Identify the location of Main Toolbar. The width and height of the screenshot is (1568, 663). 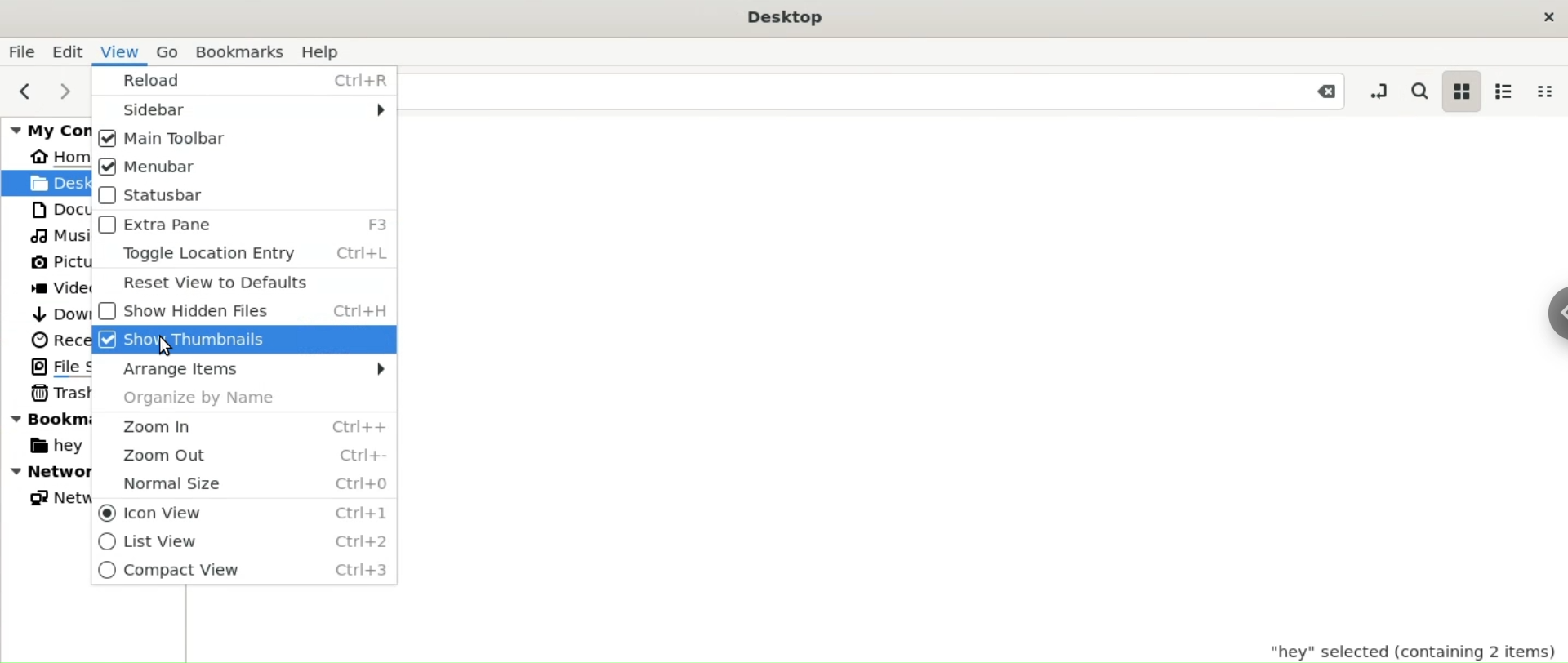
(243, 134).